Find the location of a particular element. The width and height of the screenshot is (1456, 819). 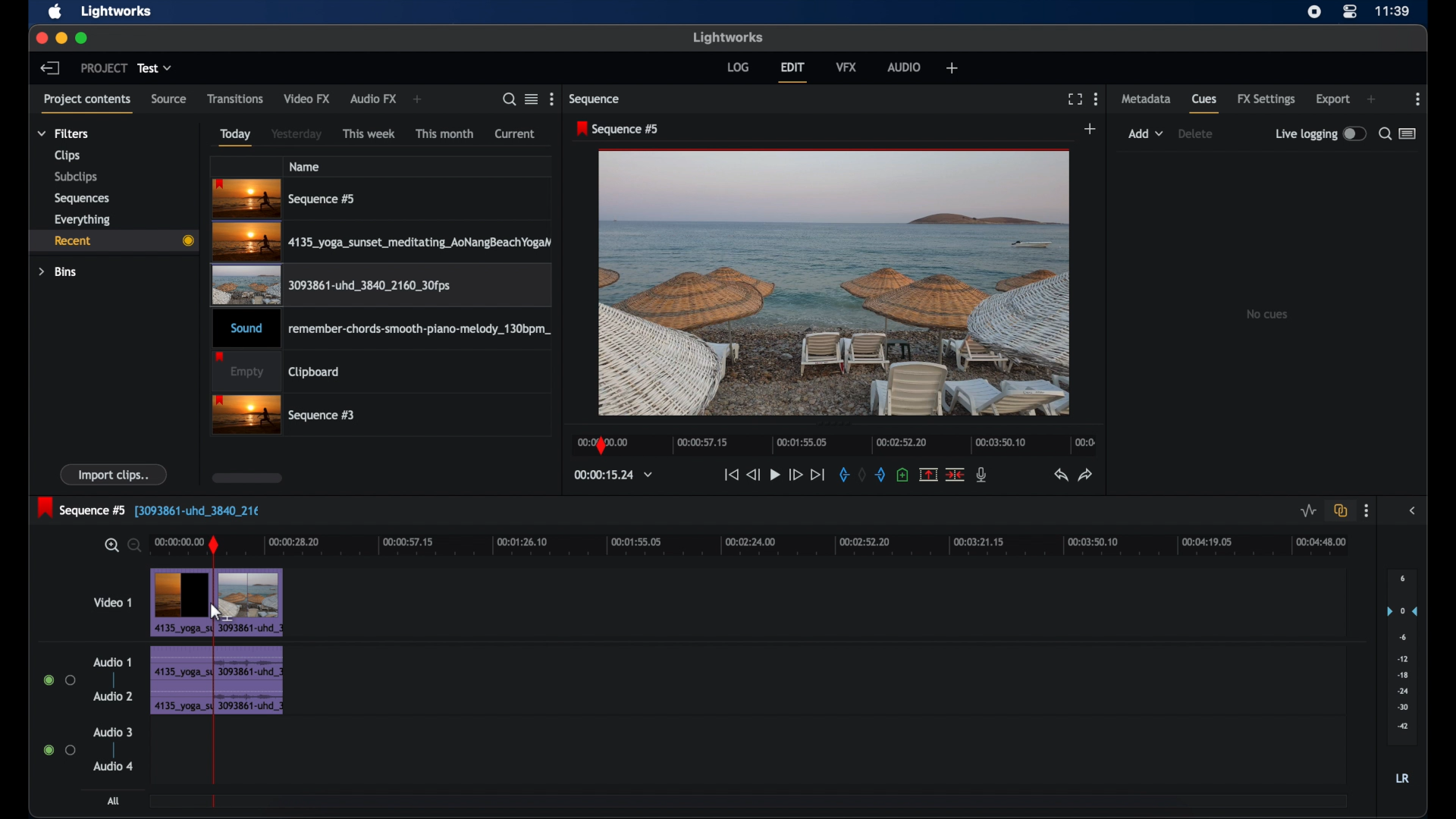

sequence 3 is located at coordinates (285, 416).